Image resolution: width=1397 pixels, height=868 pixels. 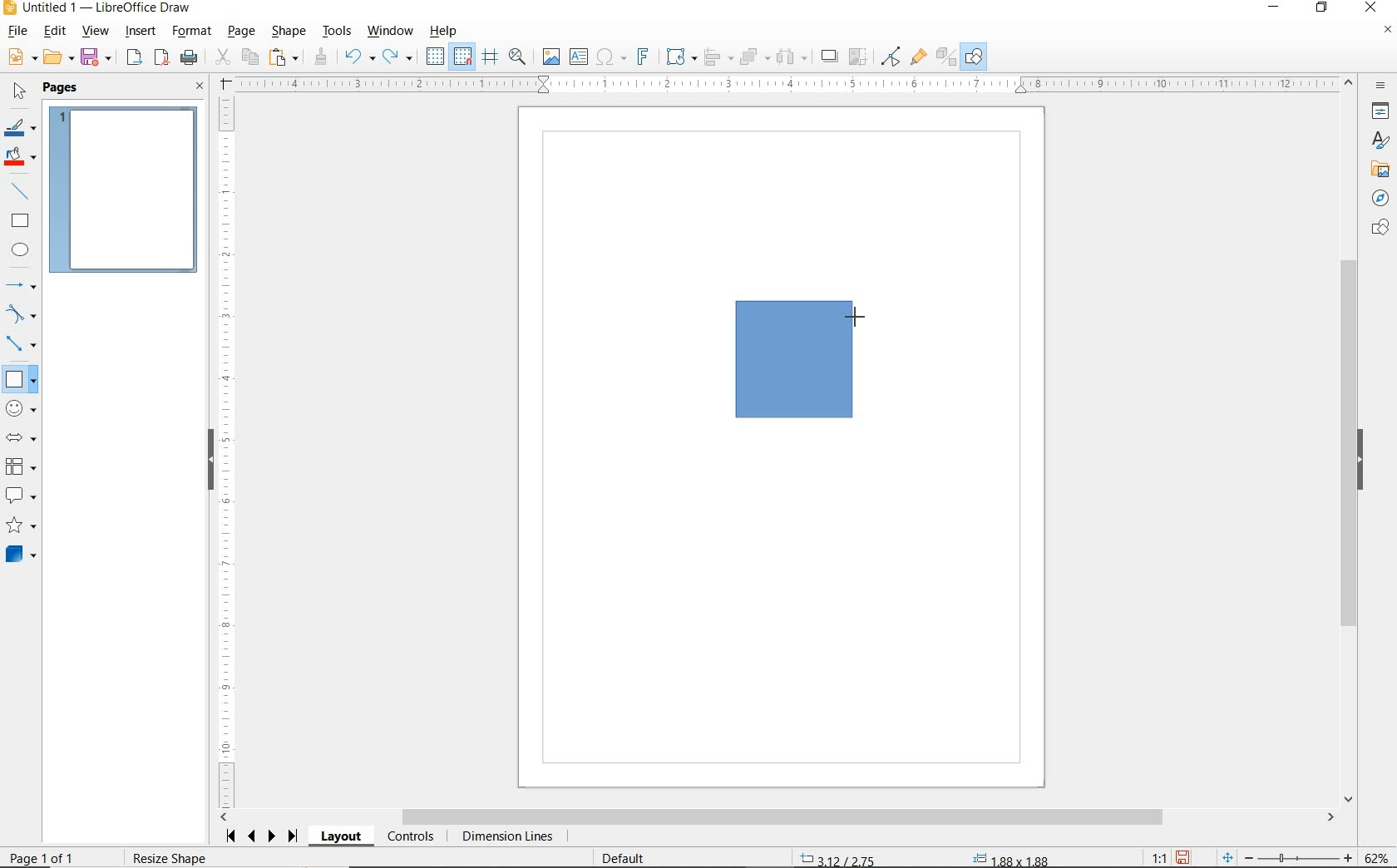 What do you see at coordinates (787, 84) in the screenshot?
I see `RULER` at bounding box center [787, 84].